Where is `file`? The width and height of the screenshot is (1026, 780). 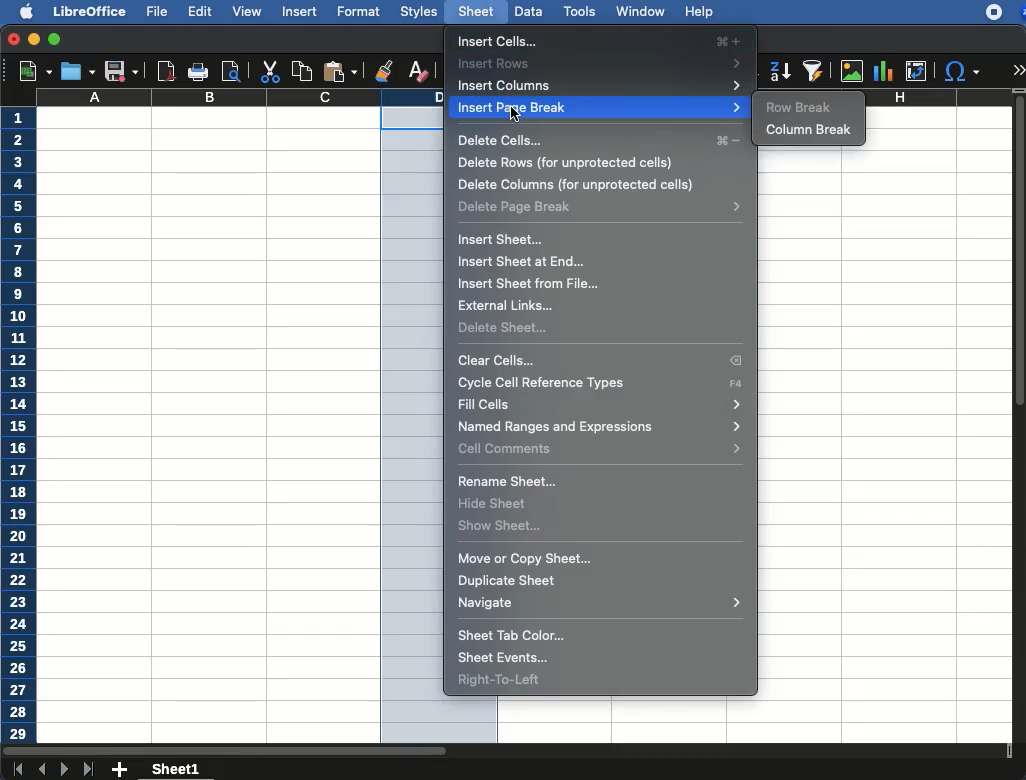
file is located at coordinates (159, 12).